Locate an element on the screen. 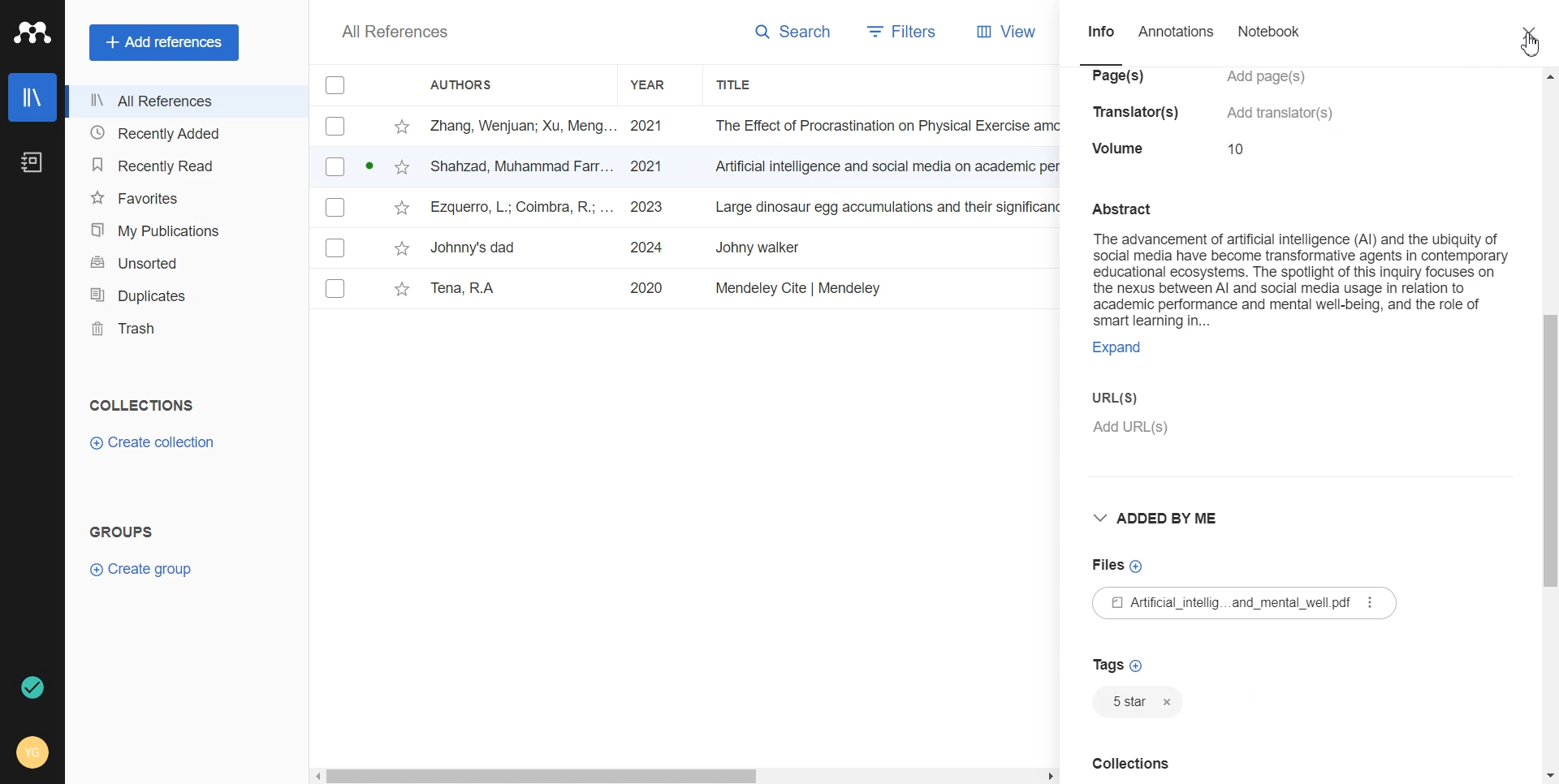  File is located at coordinates (687, 208).